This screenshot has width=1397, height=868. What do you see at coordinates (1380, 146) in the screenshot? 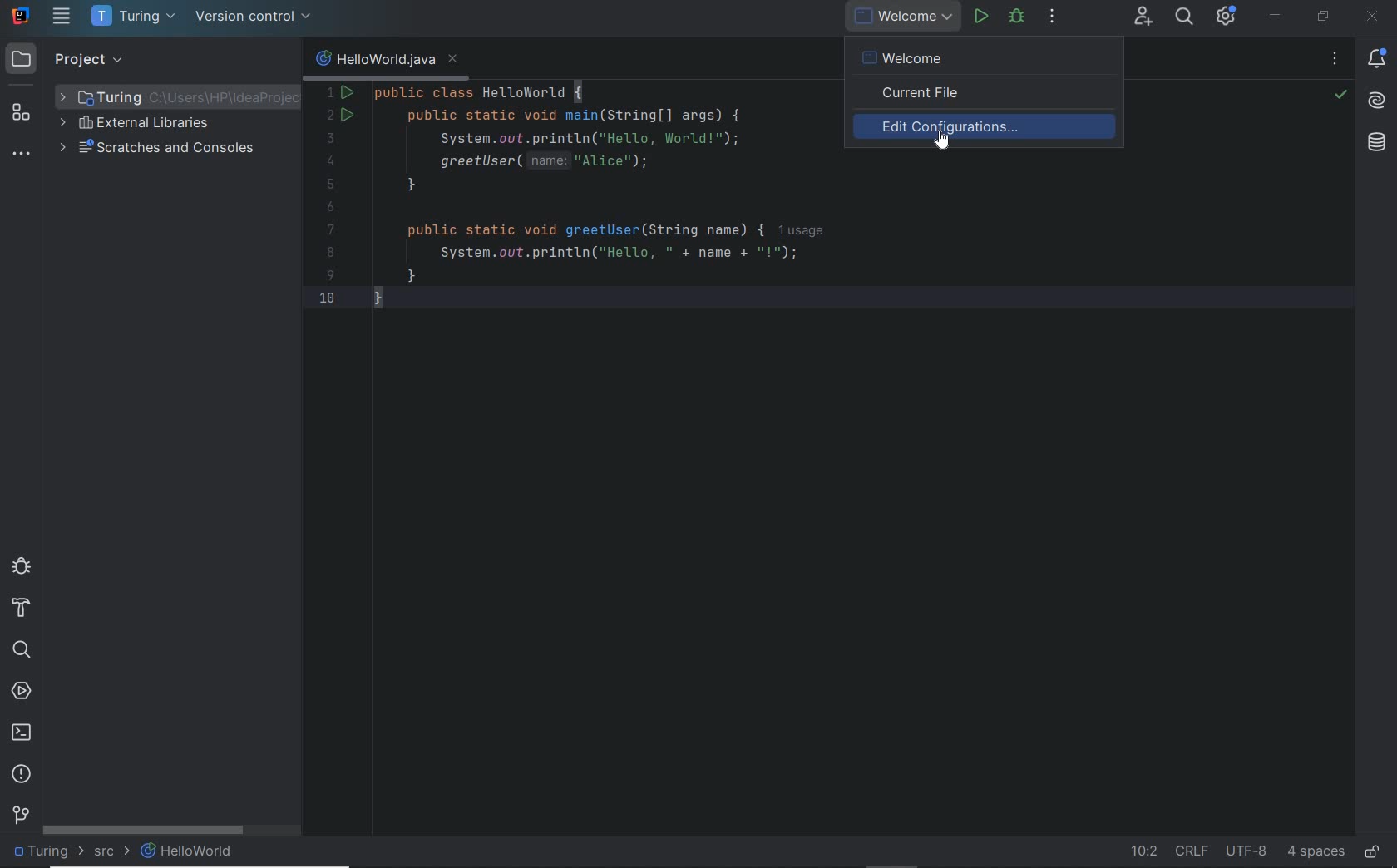
I see `Database` at bounding box center [1380, 146].